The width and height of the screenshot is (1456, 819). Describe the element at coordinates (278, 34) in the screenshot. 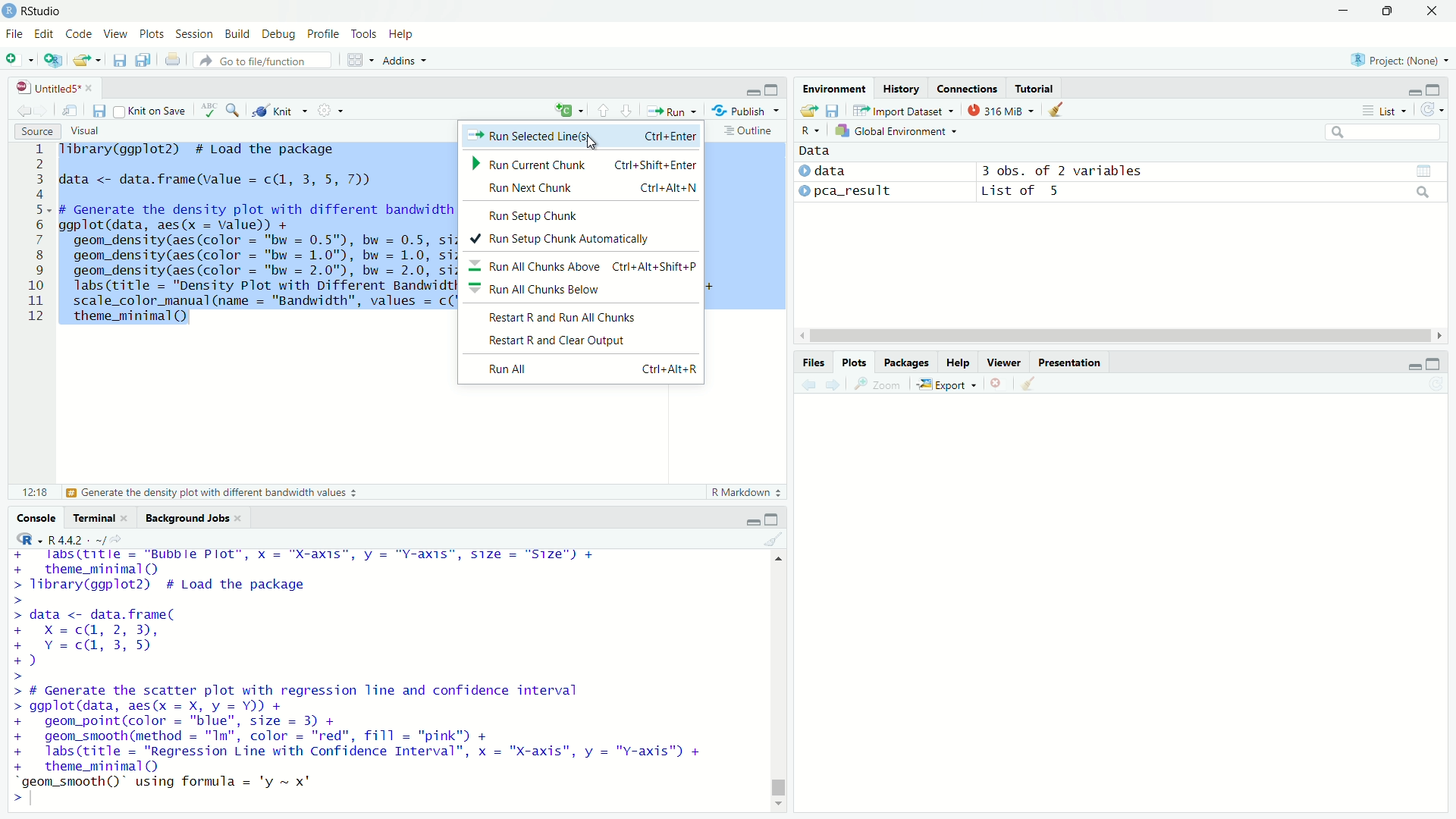

I see `Debug` at that location.